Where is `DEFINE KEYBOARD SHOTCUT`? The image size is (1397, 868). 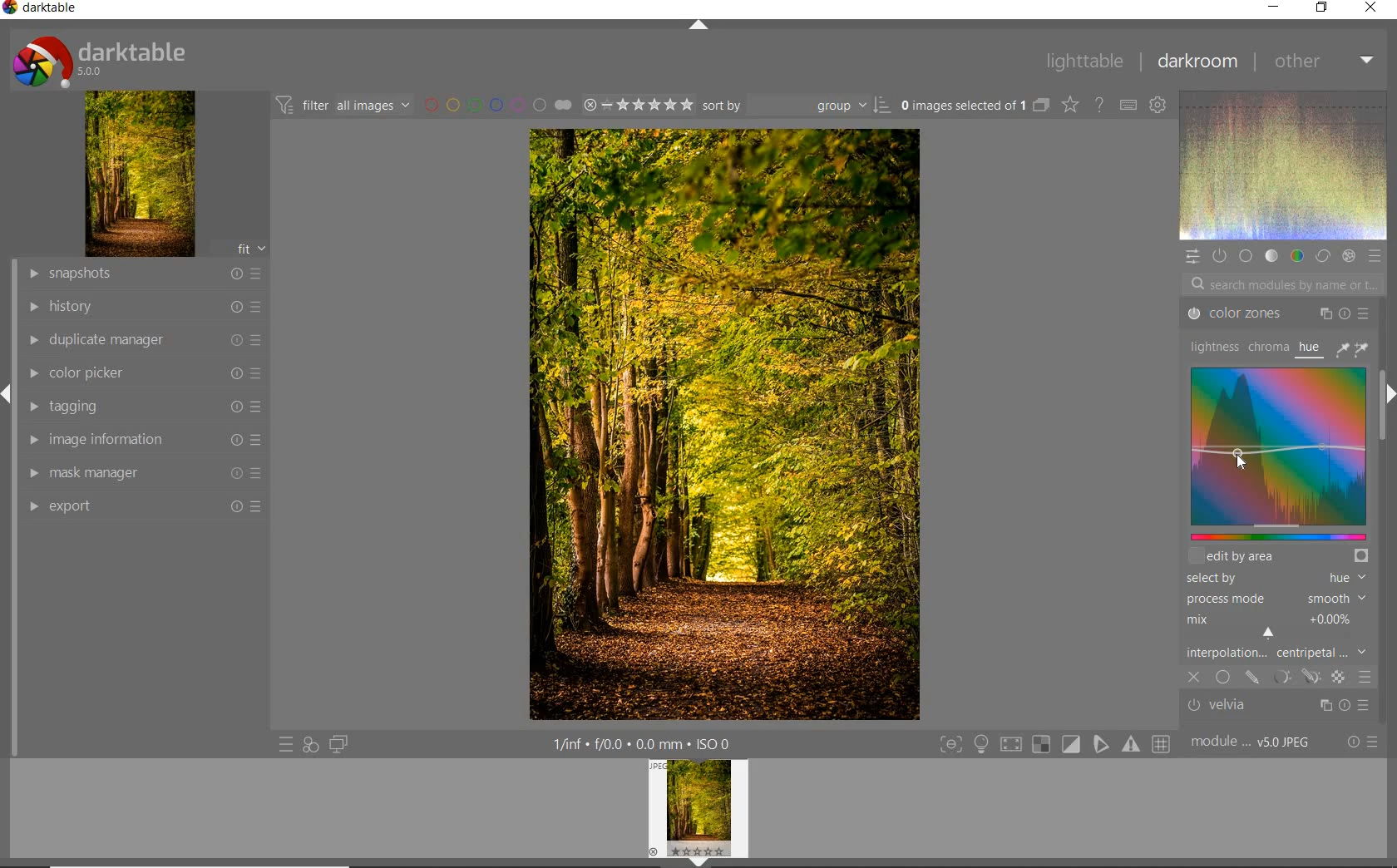
DEFINE KEYBOARD SHOTCUT is located at coordinates (1129, 104).